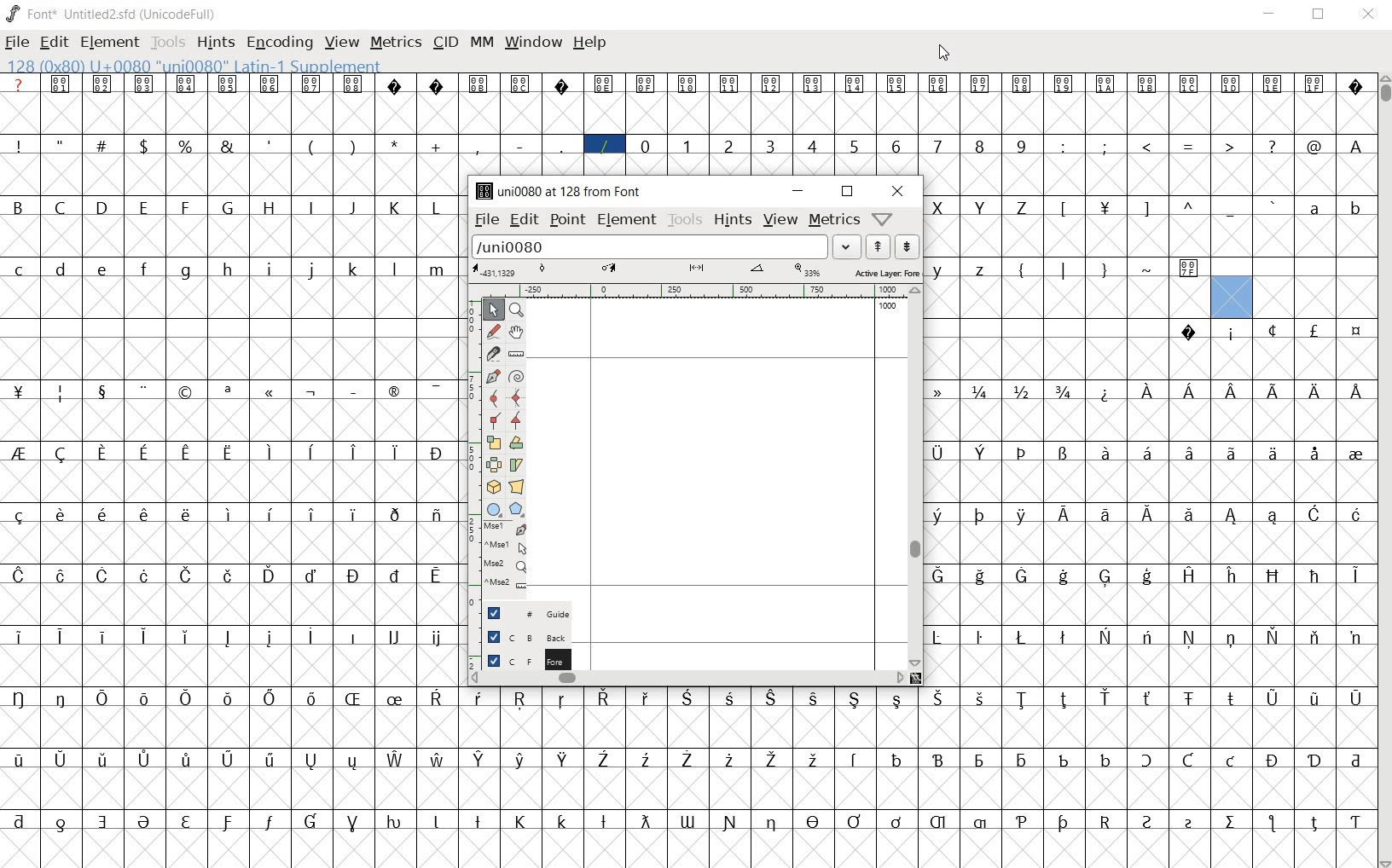 This screenshot has width=1392, height=868. What do you see at coordinates (228, 454) in the screenshot?
I see `glyph` at bounding box center [228, 454].